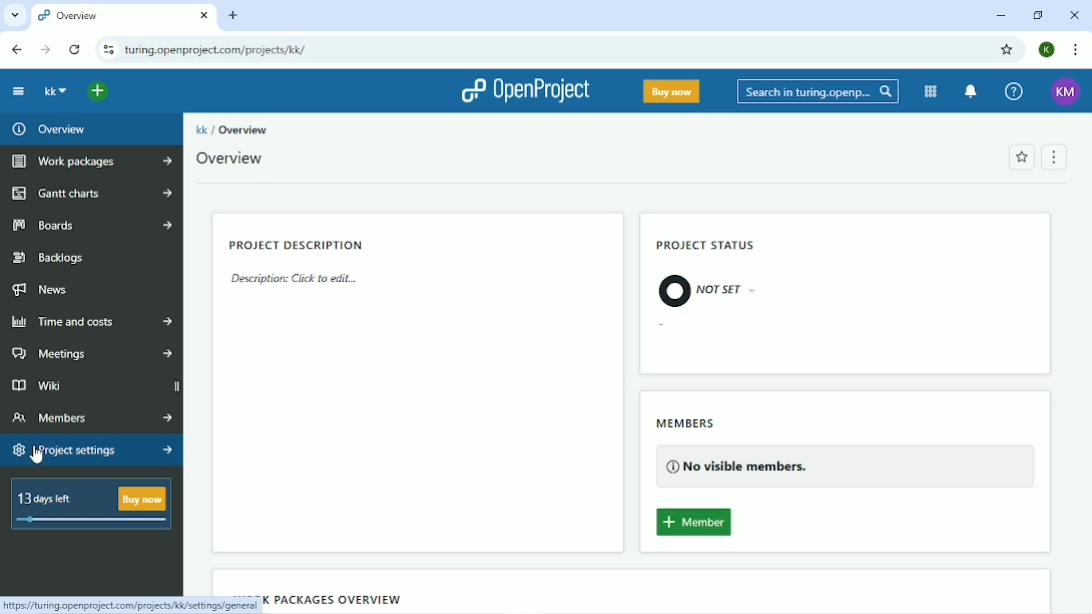 Image resolution: width=1092 pixels, height=614 pixels. Describe the element at coordinates (200, 129) in the screenshot. I see `kk` at that location.